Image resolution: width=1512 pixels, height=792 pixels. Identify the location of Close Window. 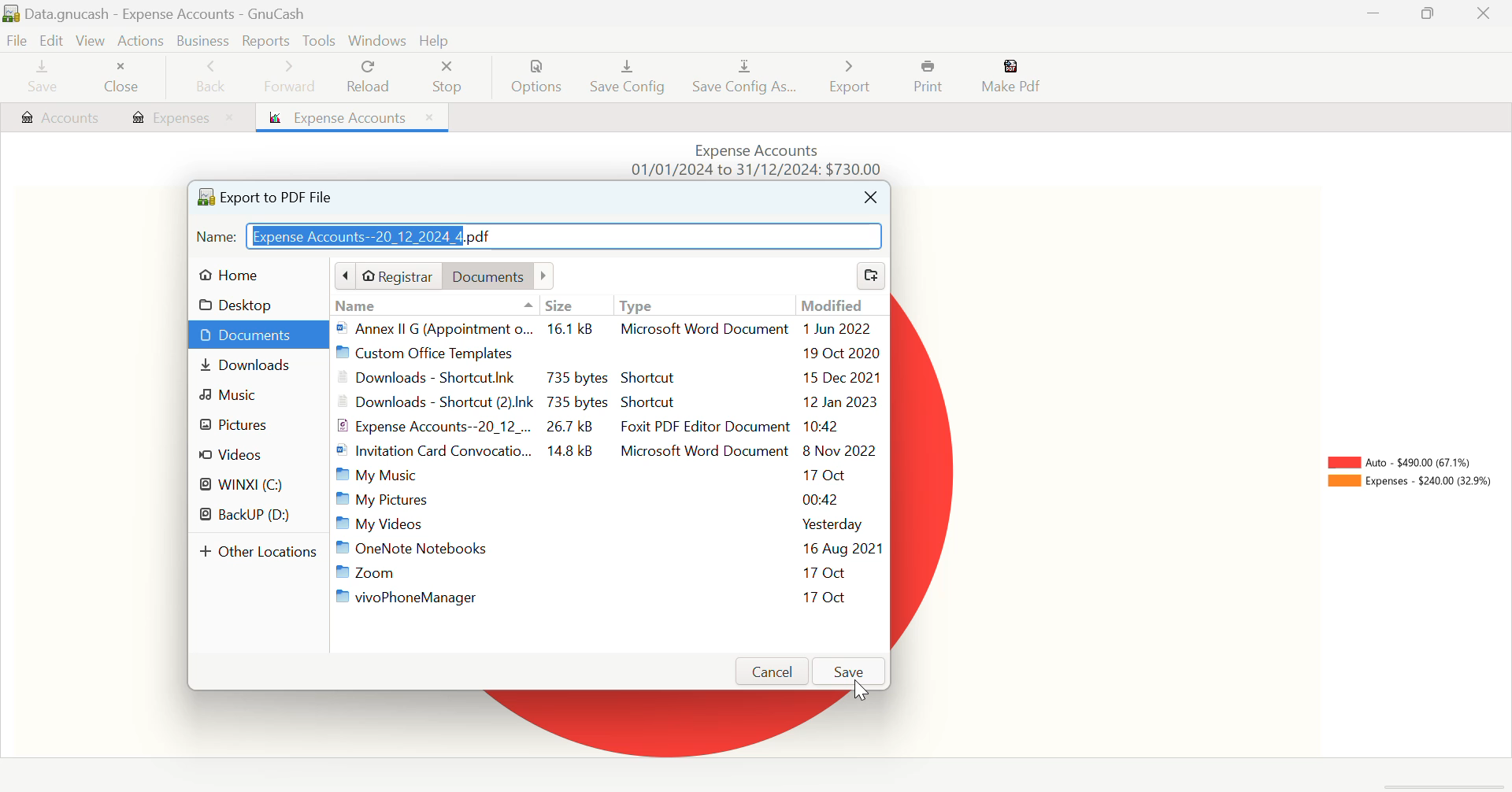
(1485, 13).